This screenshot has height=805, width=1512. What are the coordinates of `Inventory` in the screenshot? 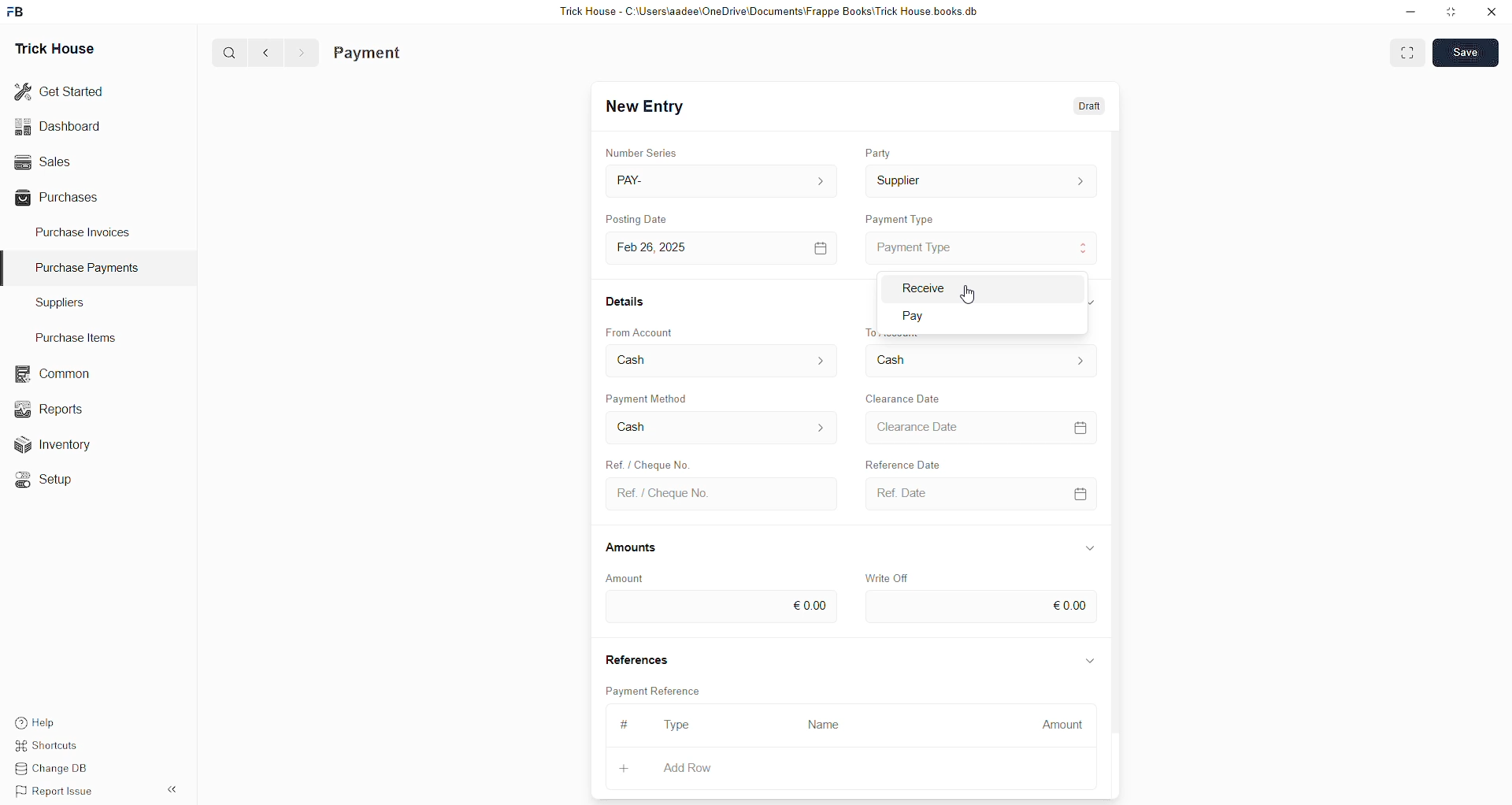 It's located at (54, 443).